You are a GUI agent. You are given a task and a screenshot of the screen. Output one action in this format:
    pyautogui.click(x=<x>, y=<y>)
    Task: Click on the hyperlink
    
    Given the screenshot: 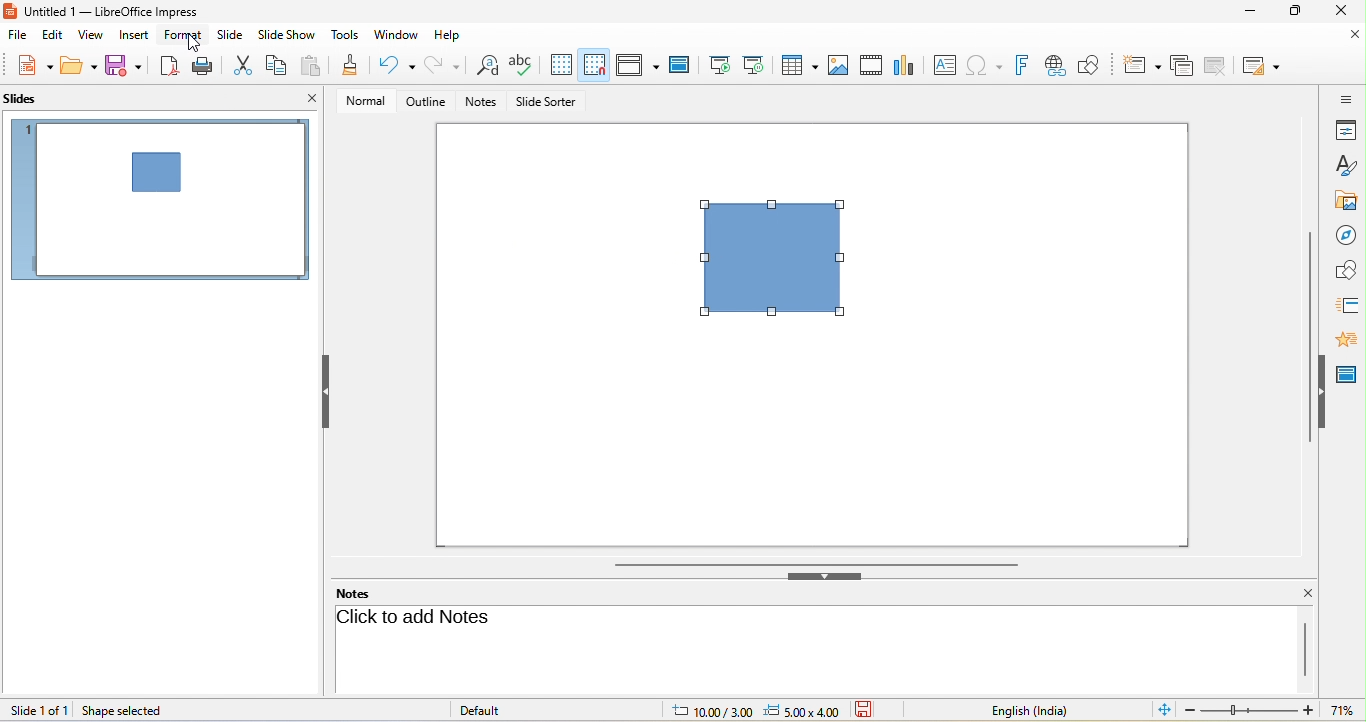 What is the action you would take?
    pyautogui.click(x=1060, y=64)
    